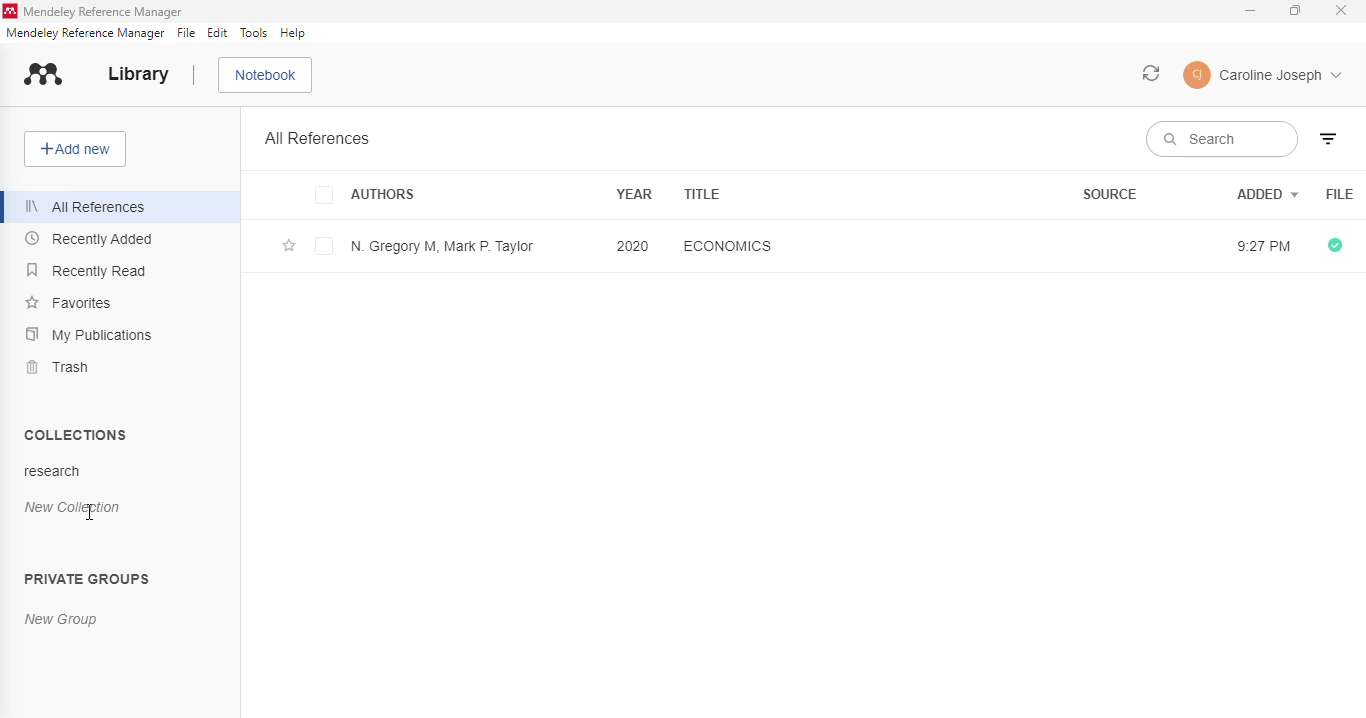 This screenshot has height=718, width=1366. What do you see at coordinates (77, 434) in the screenshot?
I see `collections` at bounding box center [77, 434].